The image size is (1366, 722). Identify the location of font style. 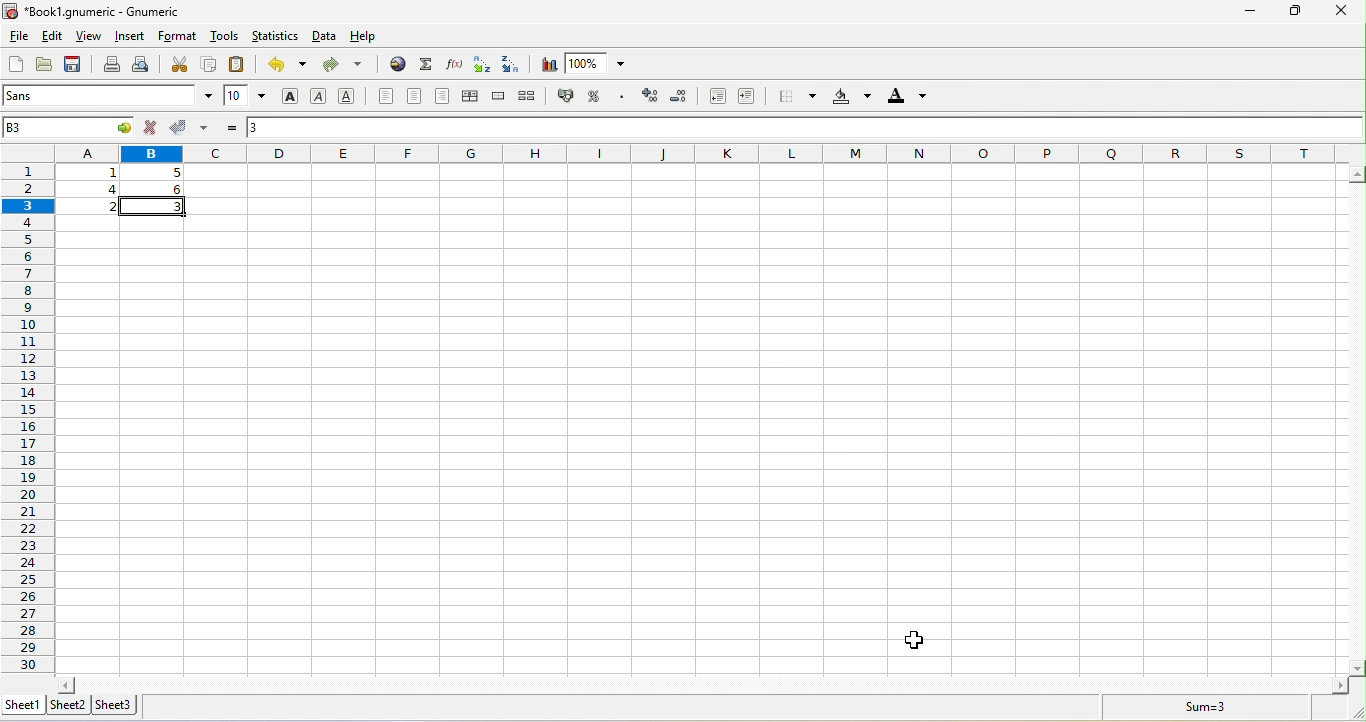
(109, 97).